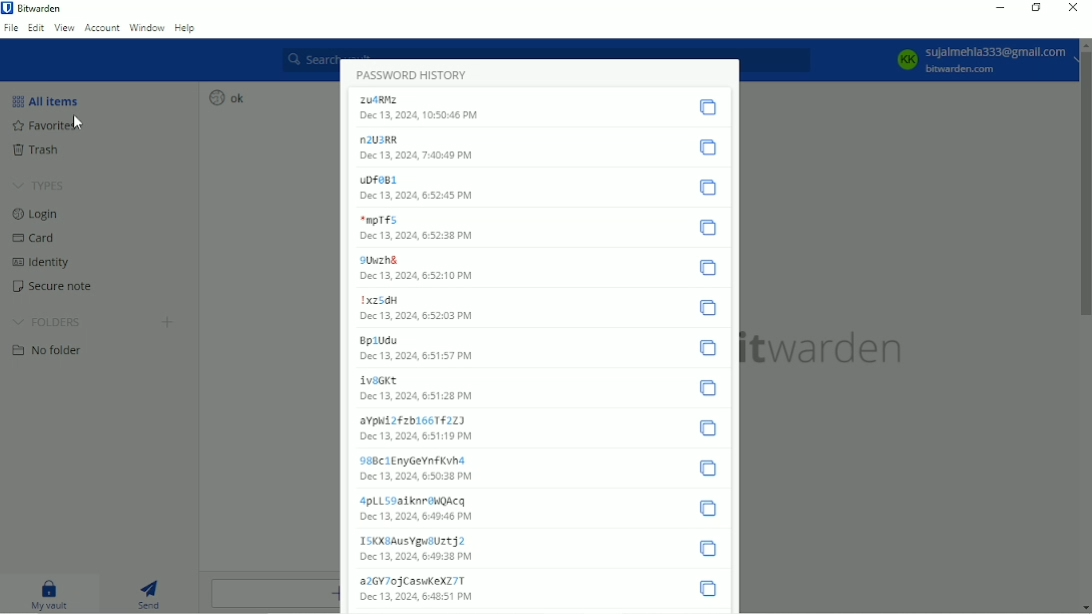  I want to click on Dec 13, 2024, 6:52:45 PM, so click(416, 197).